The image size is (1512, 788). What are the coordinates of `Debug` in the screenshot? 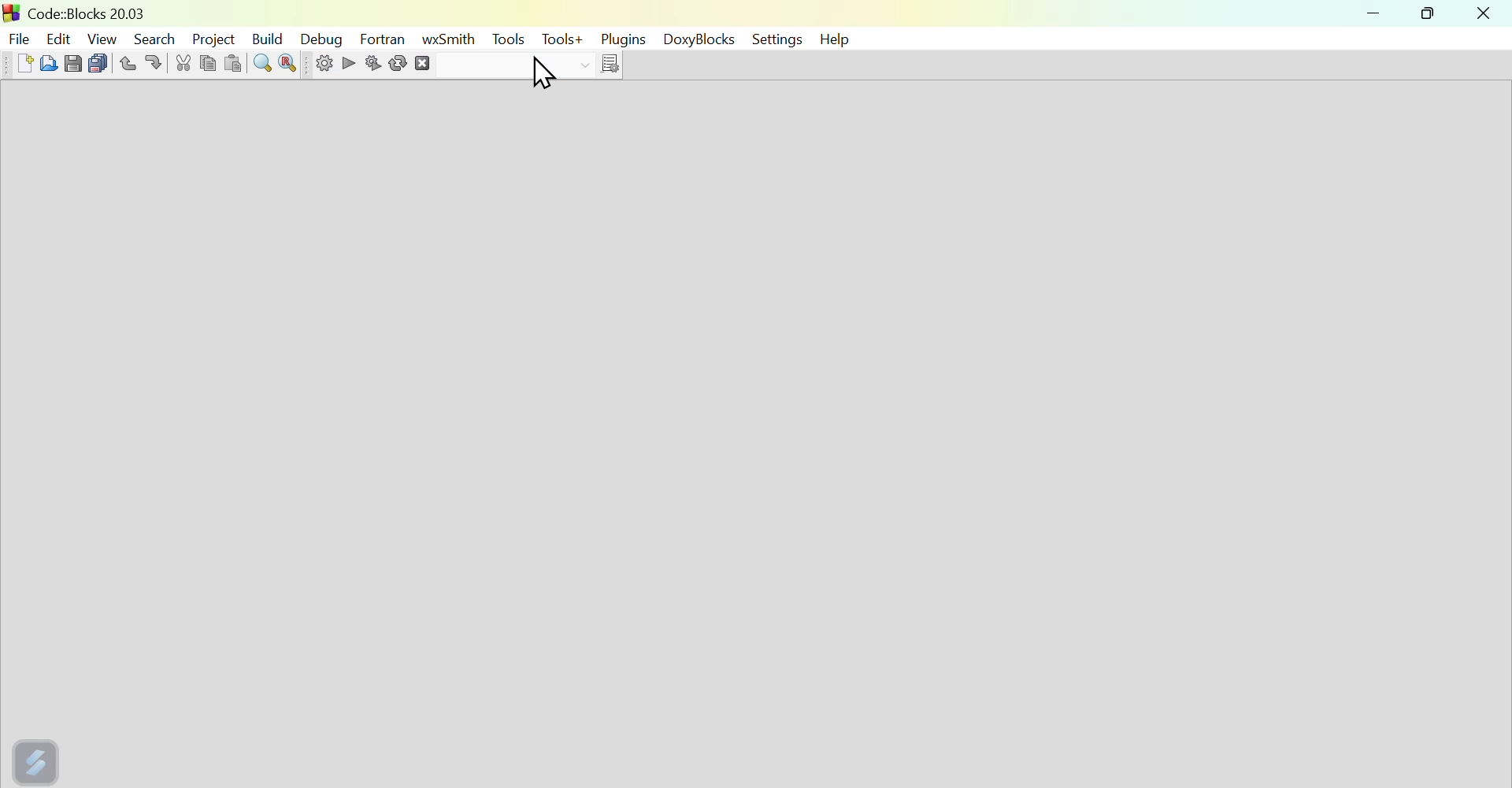 It's located at (326, 39).